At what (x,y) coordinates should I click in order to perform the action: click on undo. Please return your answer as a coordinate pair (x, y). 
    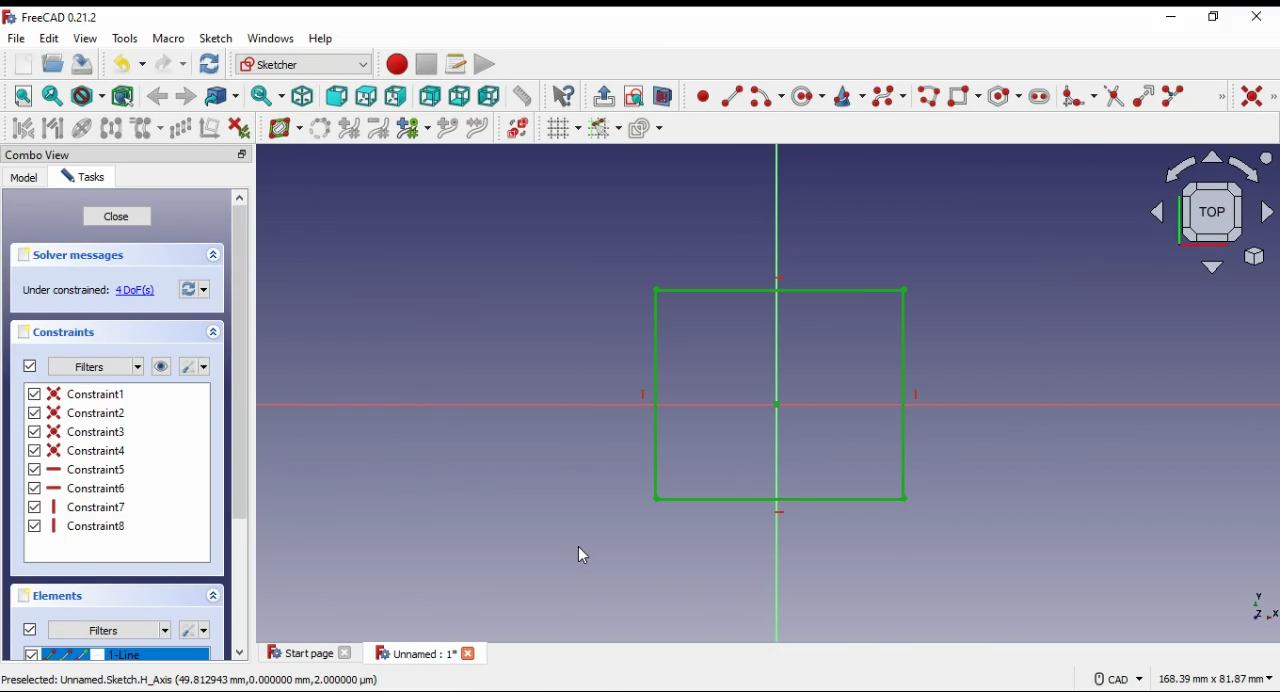
    Looking at the image, I should click on (130, 64).